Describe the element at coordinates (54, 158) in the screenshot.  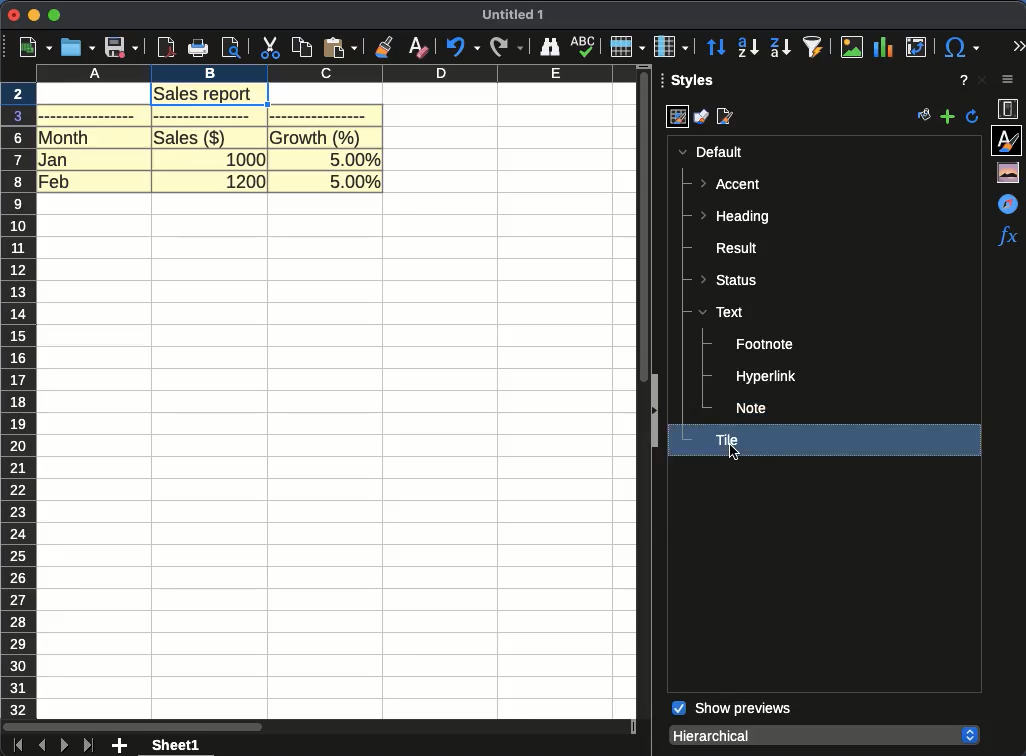
I see `jan` at that location.